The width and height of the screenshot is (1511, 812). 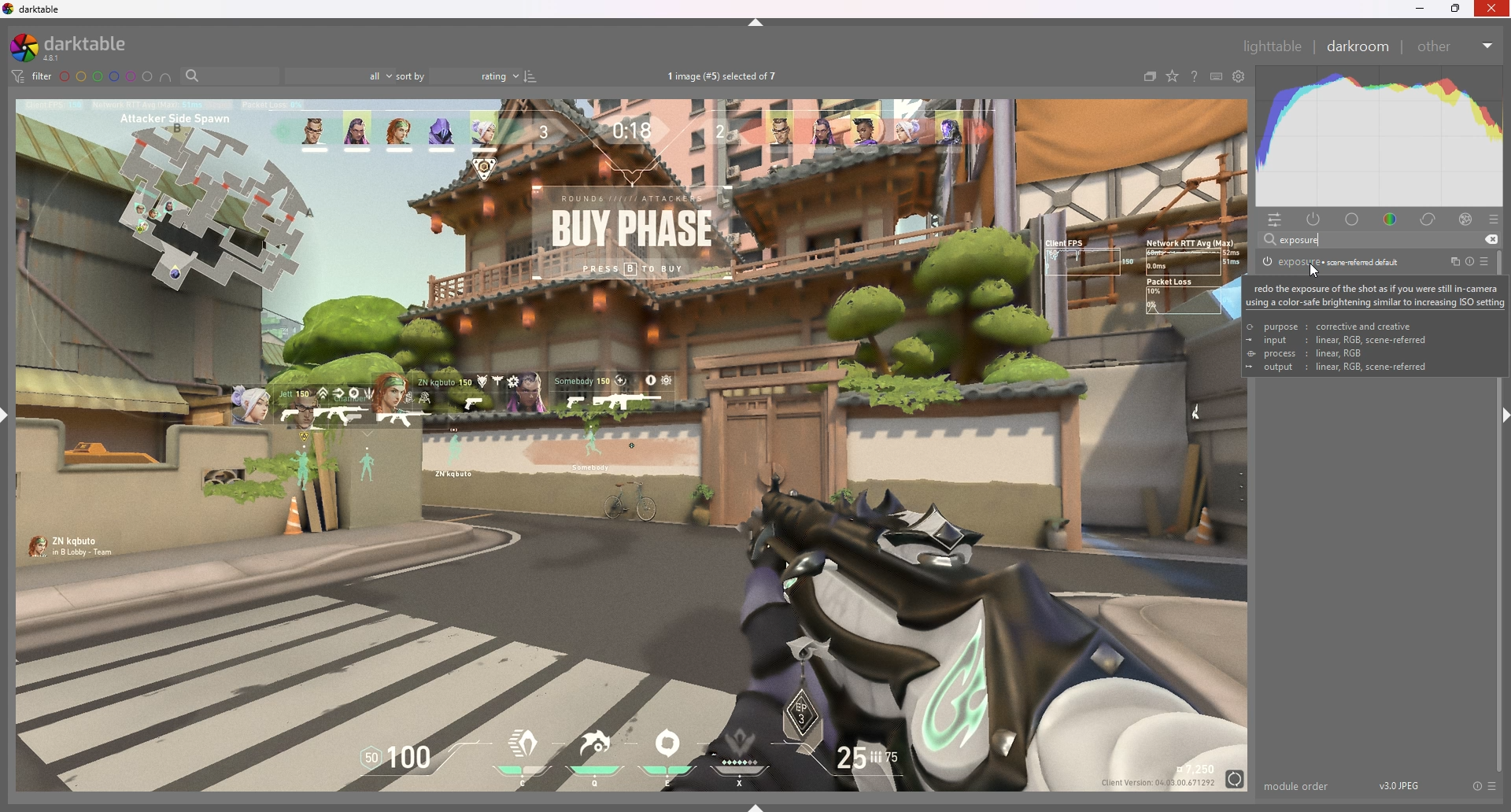 What do you see at coordinates (1332, 261) in the screenshot?
I see `exposure` at bounding box center [1332, 261].